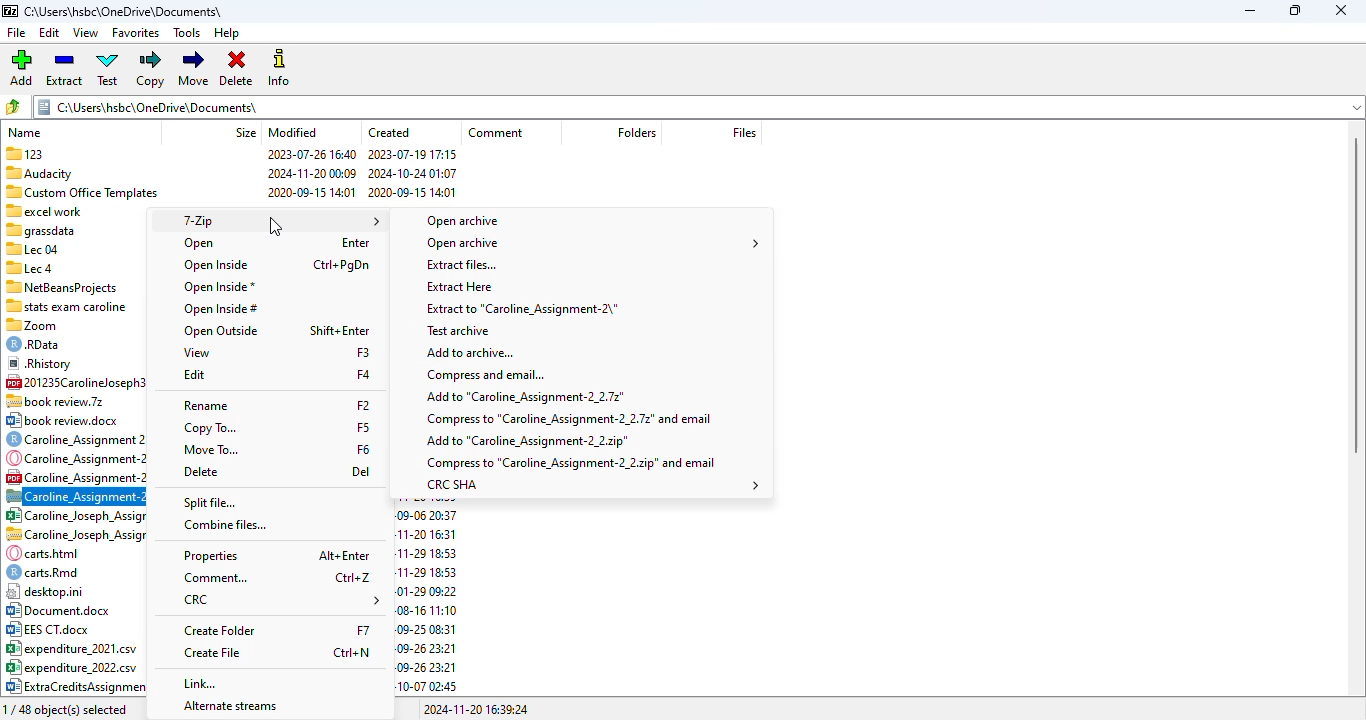 The height and width of the screenshot is (720, 1366). Describe the element at coordinates (212, 450) in the screenshot. I see `move to` at that location.